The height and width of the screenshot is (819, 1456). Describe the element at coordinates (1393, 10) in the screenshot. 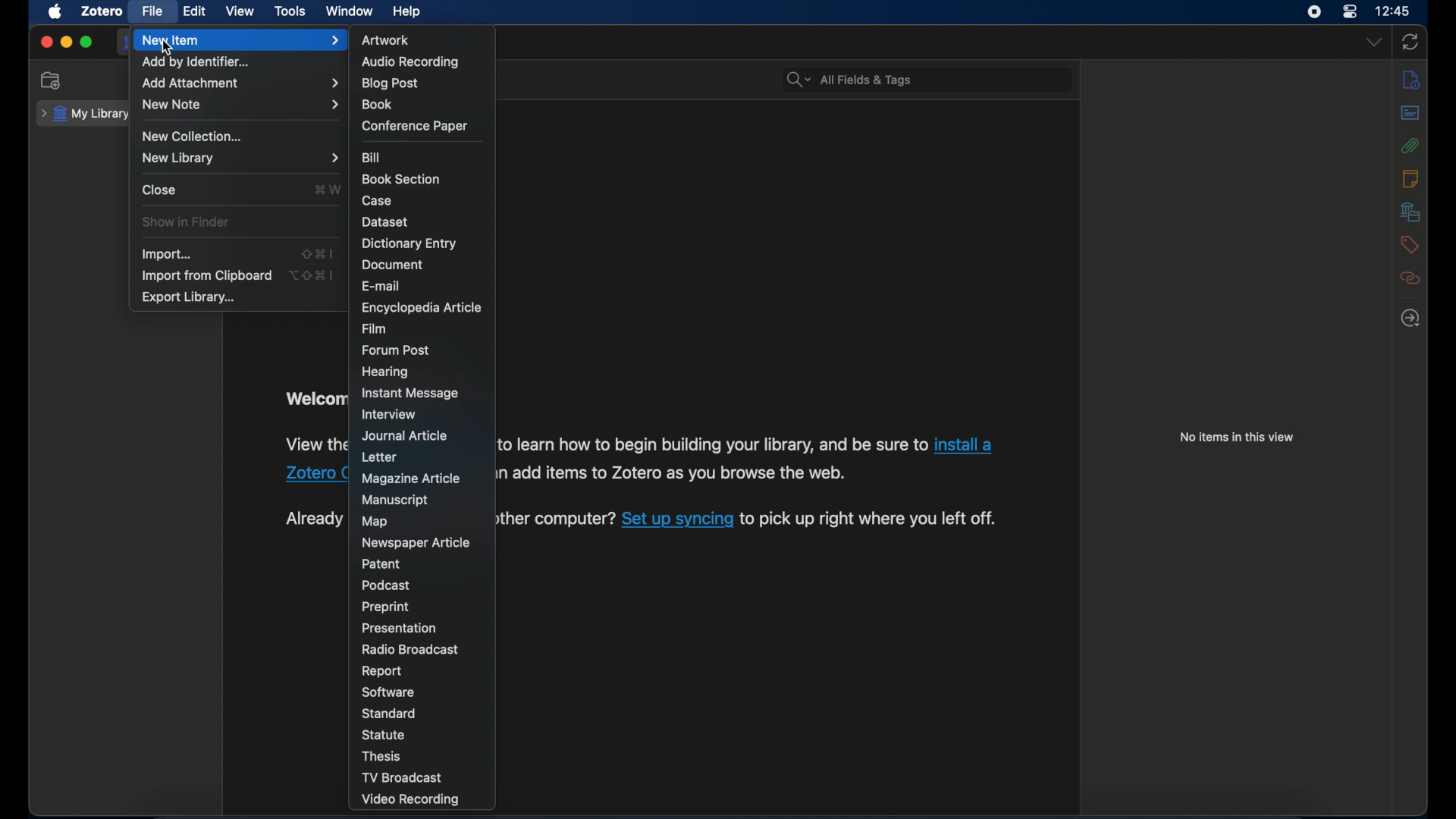

I see `time` at that location.